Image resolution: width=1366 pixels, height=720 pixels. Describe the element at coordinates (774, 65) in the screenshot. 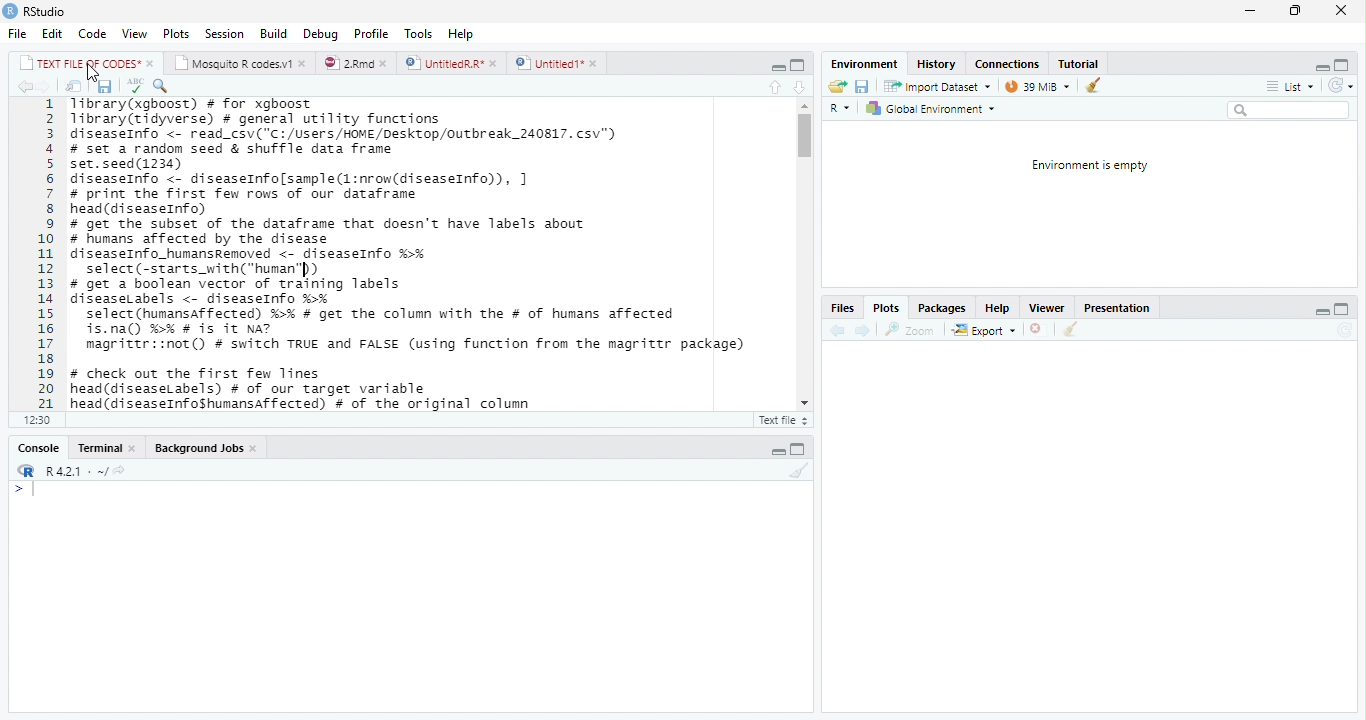

I see `Minimize` at that location.